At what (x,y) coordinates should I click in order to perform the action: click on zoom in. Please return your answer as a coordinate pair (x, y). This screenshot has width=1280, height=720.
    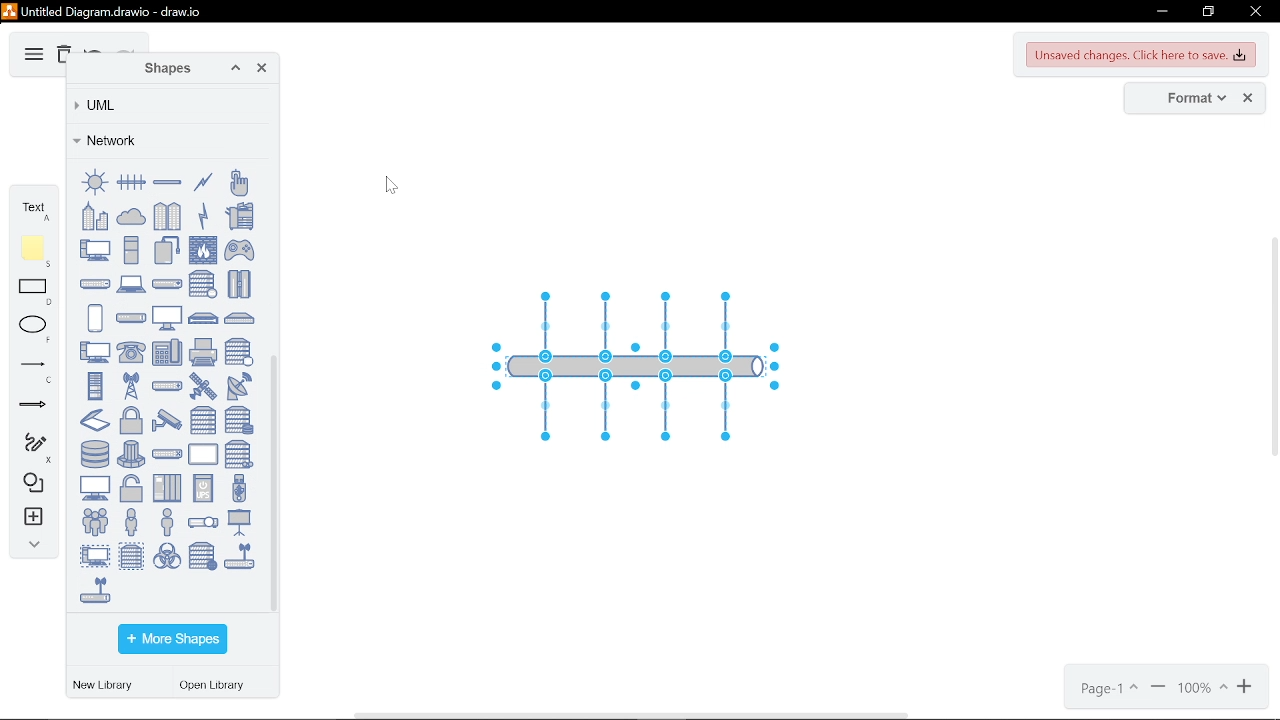
    Looking at the image, I should click on (1247, 688).